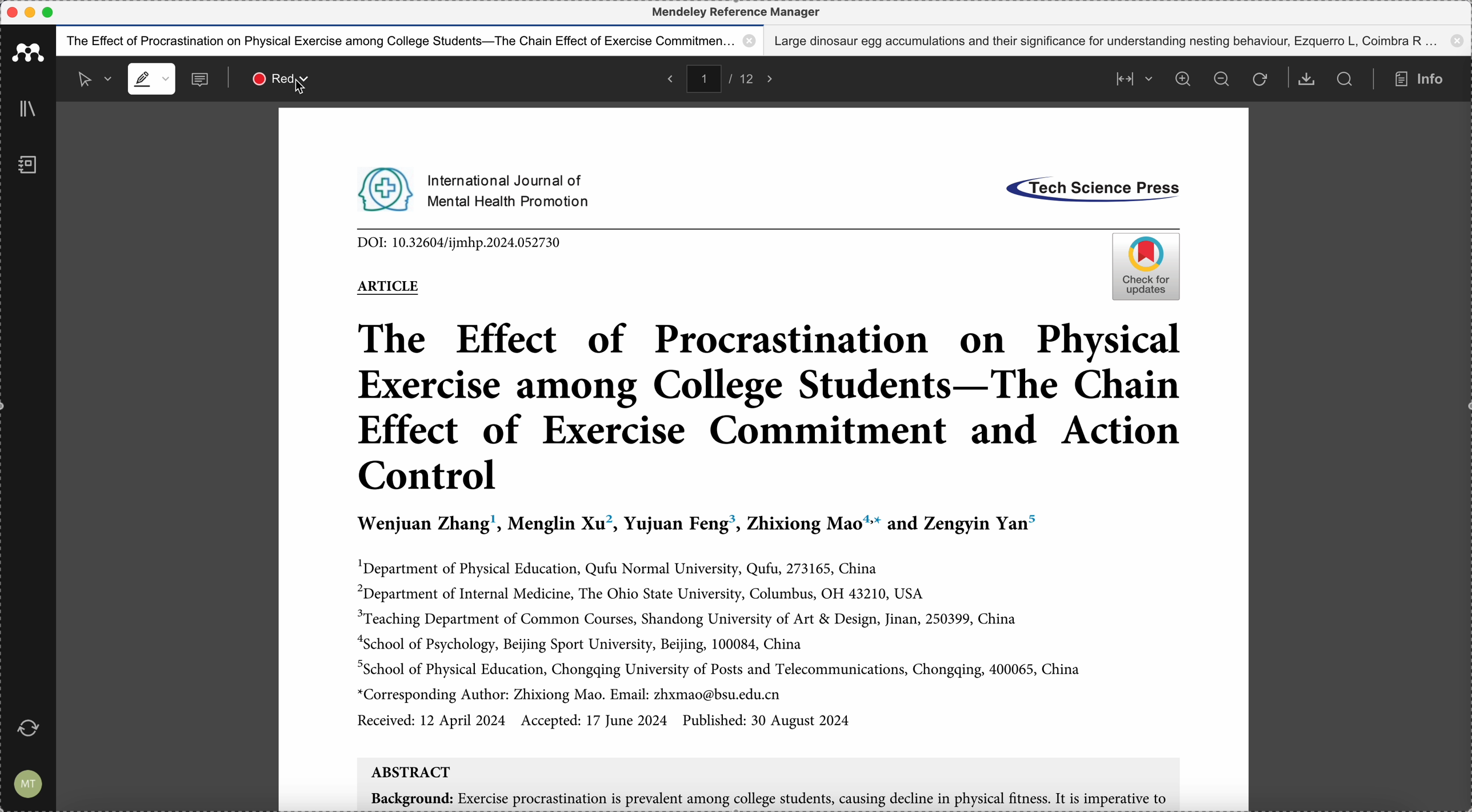 This screenshot has width=1472, height=812. Describe the element at coordinates (1223, 80) in the screenshot. I see `zoom out` at that location.